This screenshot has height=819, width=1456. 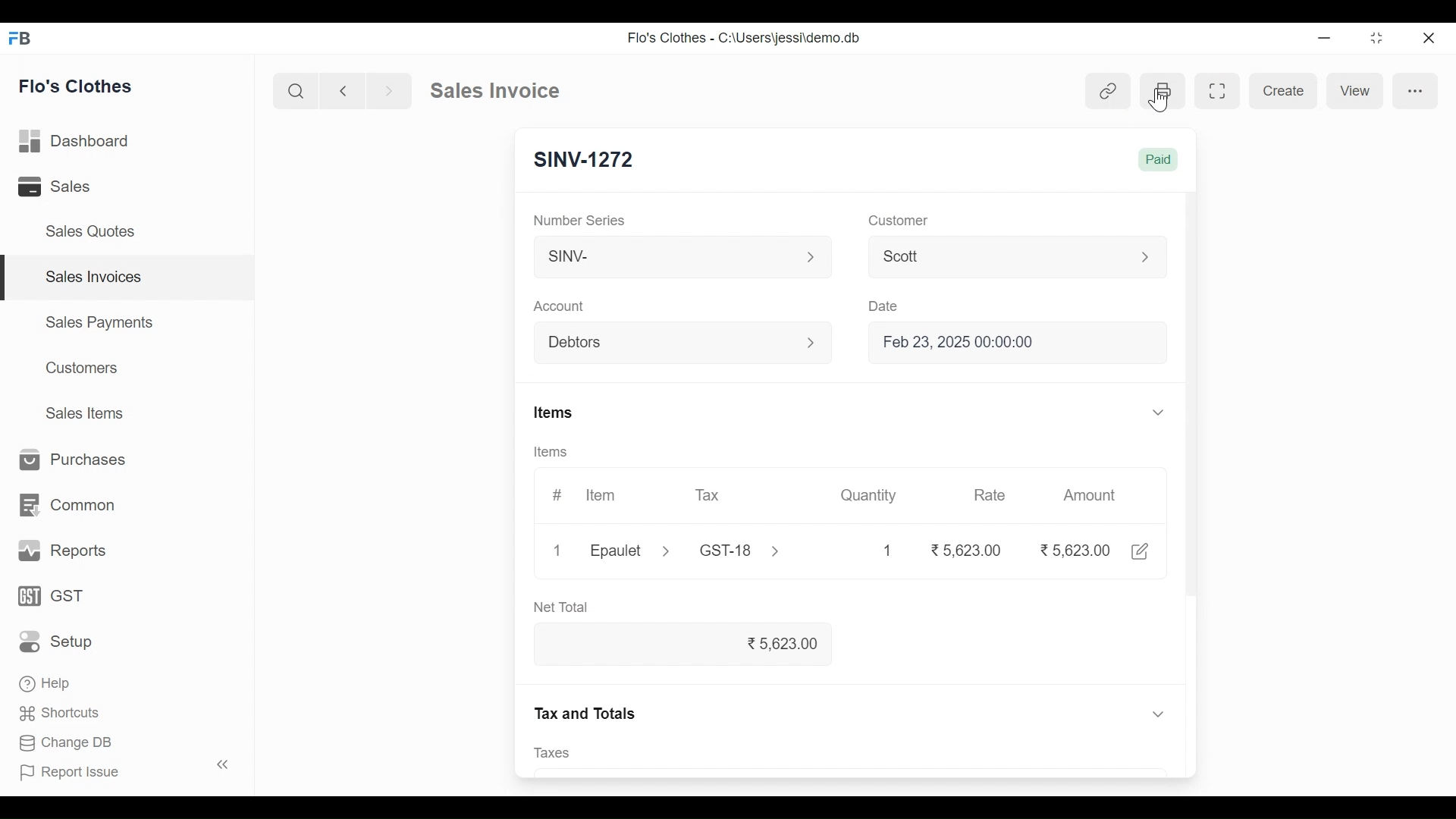 I want to click on Customer, so click(x=901, y=220).